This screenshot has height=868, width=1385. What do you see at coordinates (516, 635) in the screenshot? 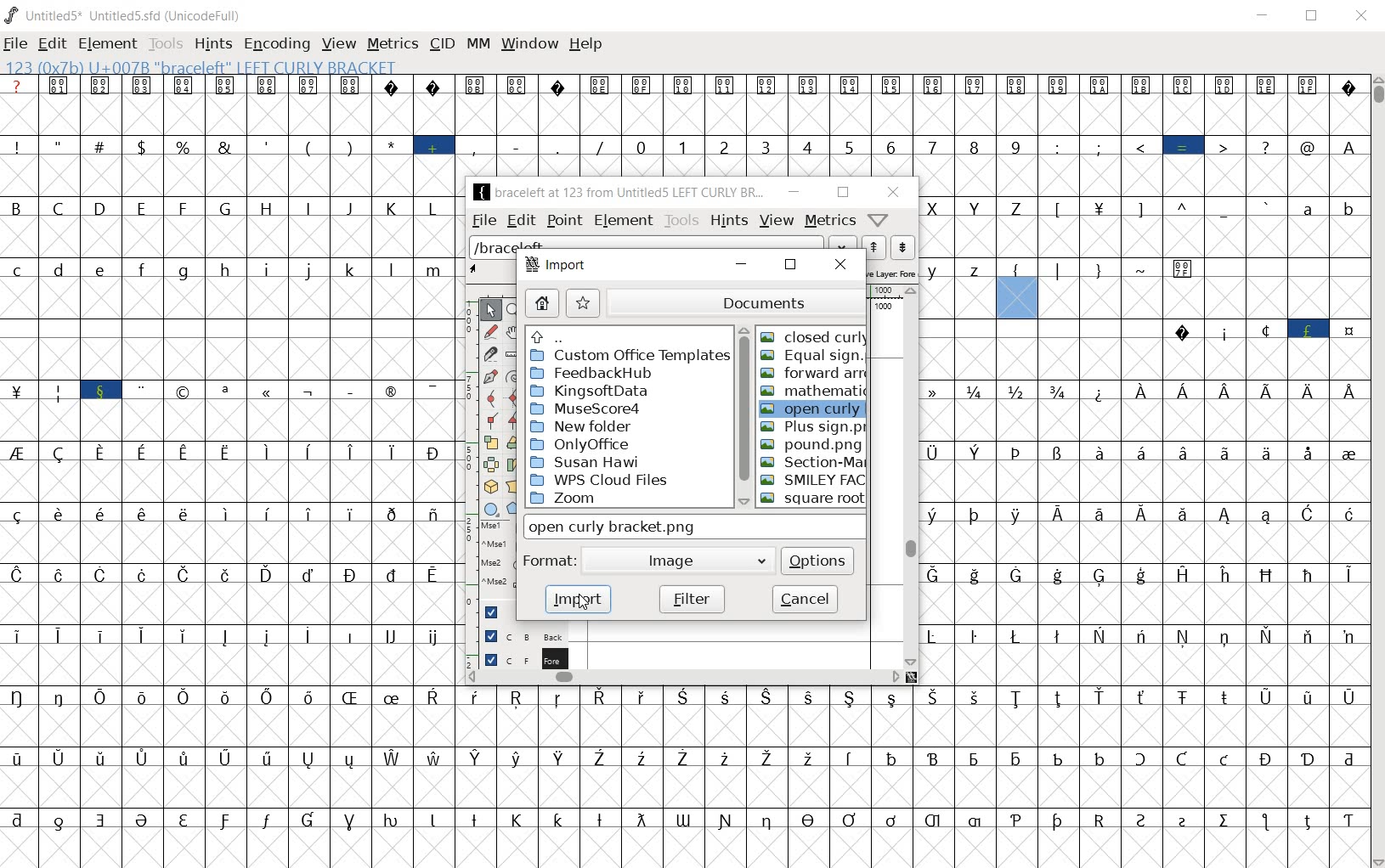
I see `background` at bounding box center [516, 635].